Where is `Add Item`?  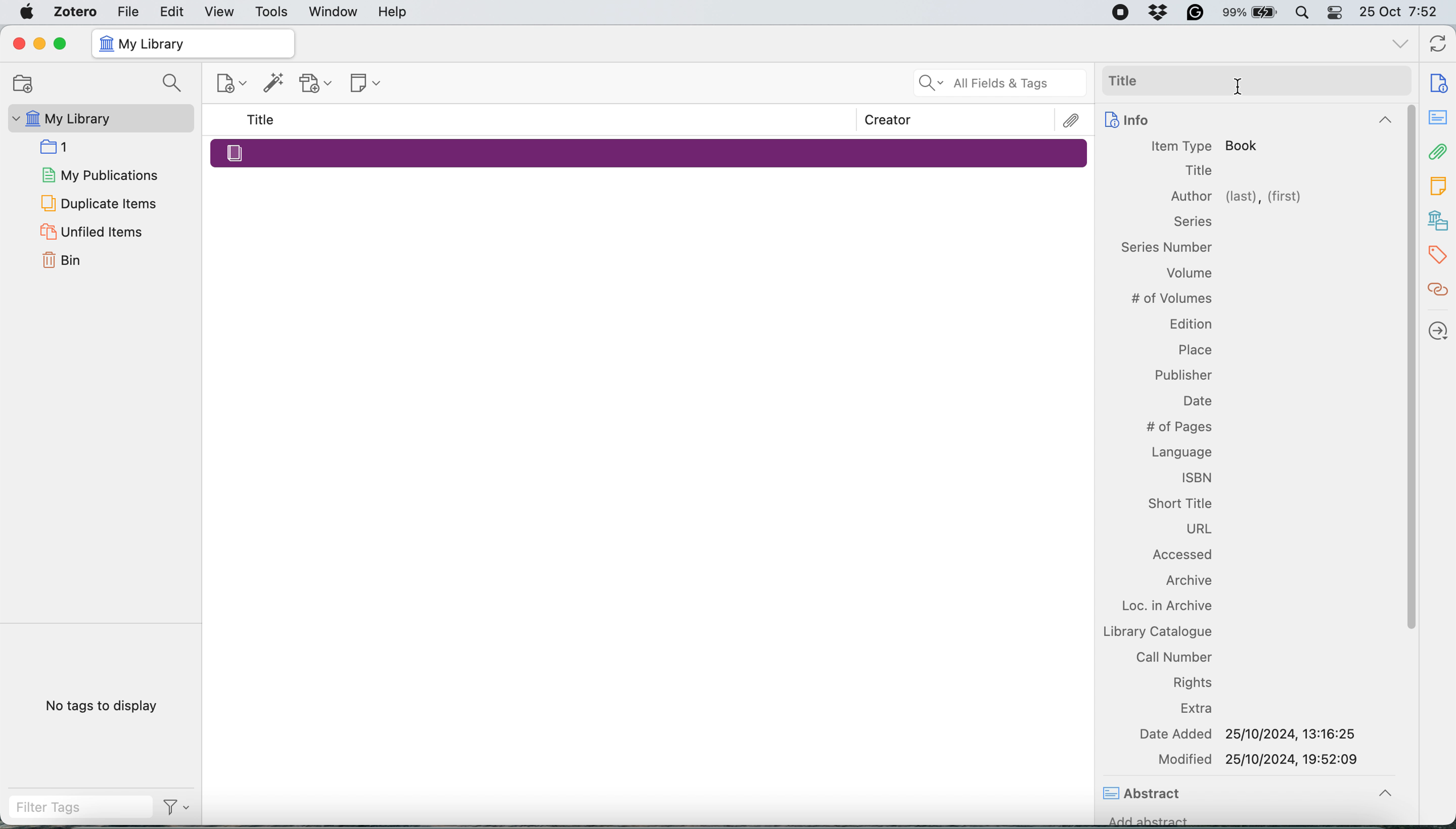
Add Item is located at coordinates (274, 86).